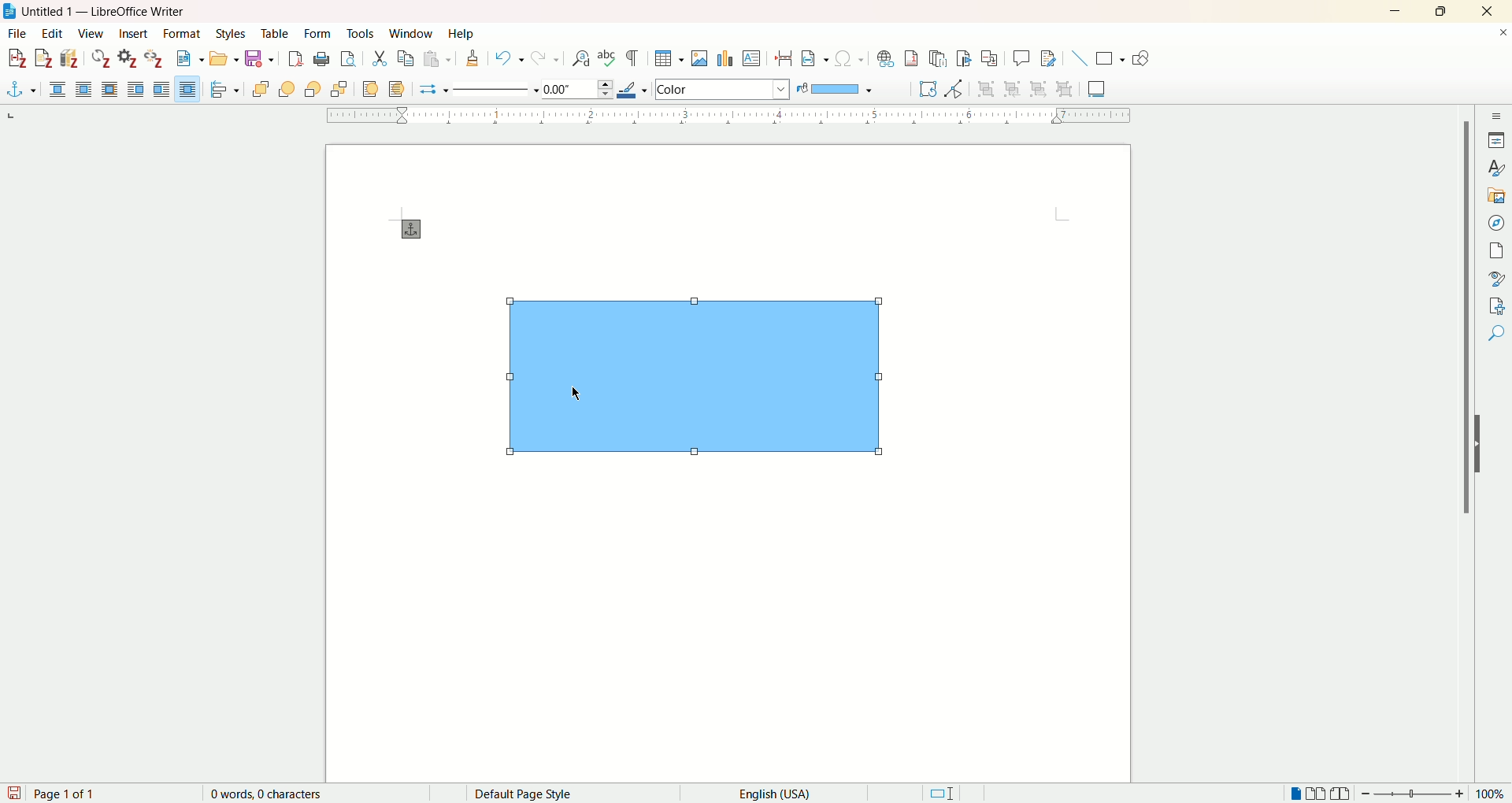 The image size is (1512, 803). Describe the element at coordinates (889, 58) in the screenshot. I see `insert hyperlink` at that location.